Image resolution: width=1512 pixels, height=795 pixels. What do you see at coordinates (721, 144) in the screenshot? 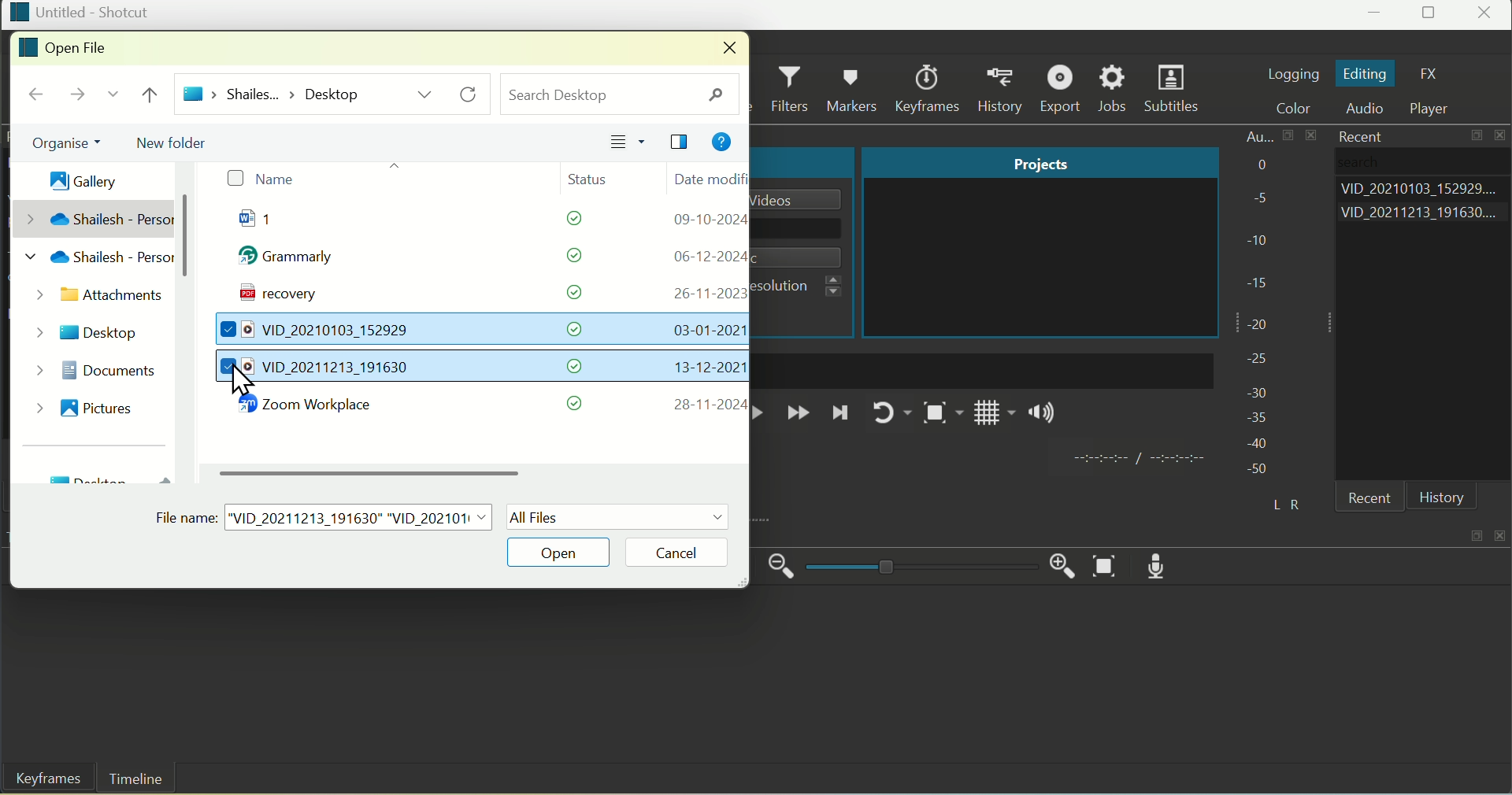
I see `Help` at bounding box center [721, 144].